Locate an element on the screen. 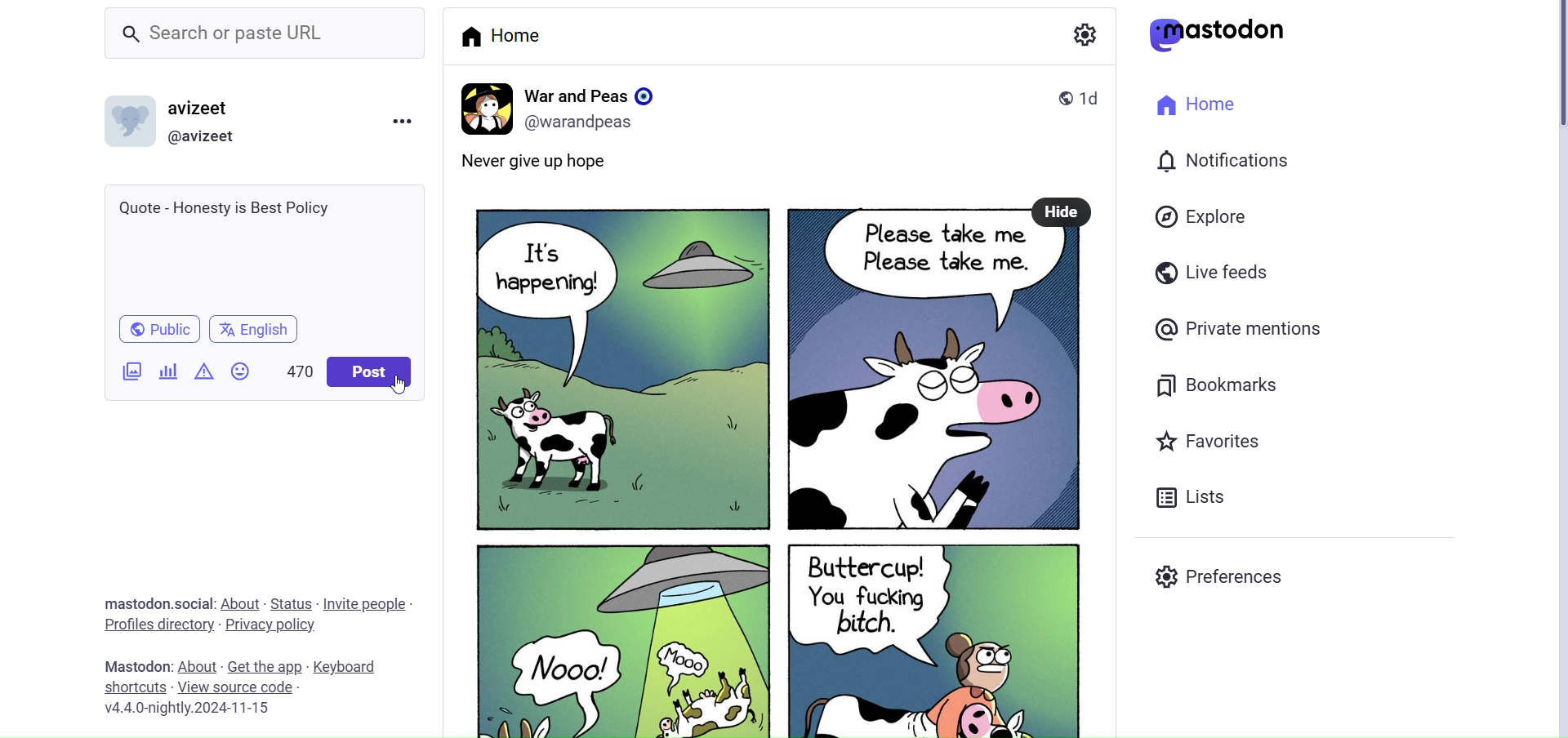  Preferences is located at coordinates (1222, 579).